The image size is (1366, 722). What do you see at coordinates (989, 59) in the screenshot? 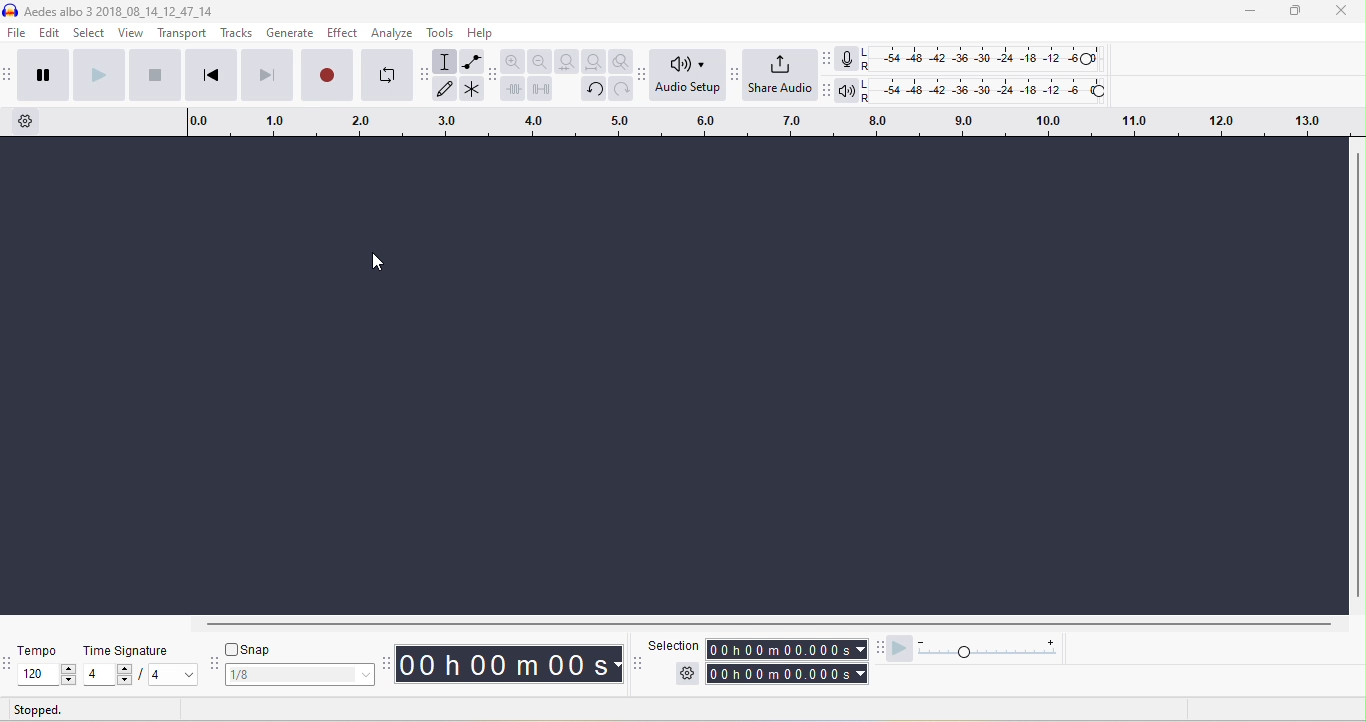
I see `recording level` at bounding box center [989, 59].